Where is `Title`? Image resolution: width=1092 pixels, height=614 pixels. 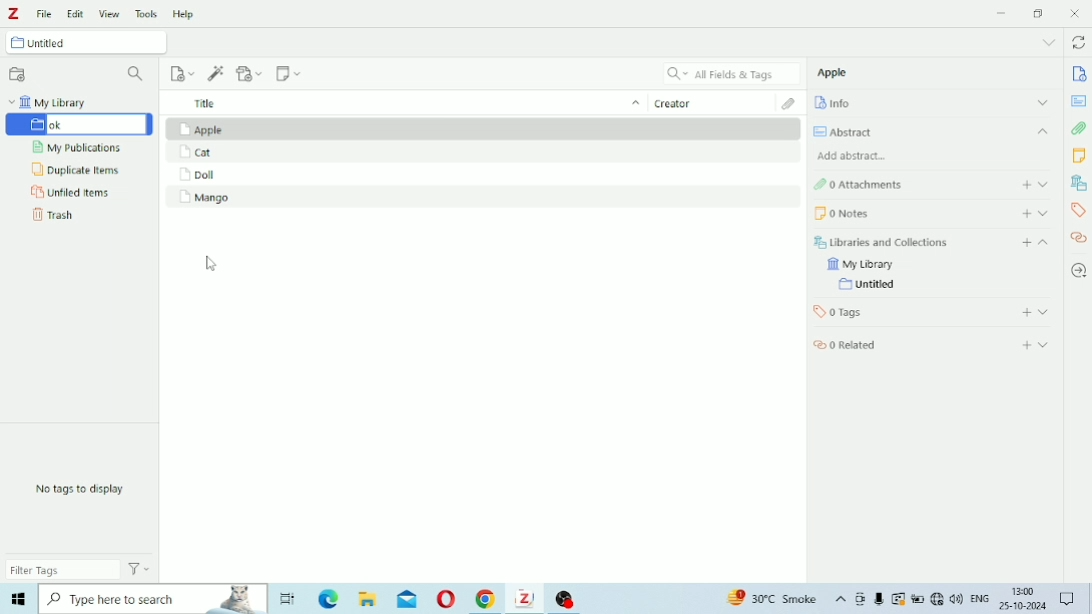
Title is located at coordinates (405, 101).